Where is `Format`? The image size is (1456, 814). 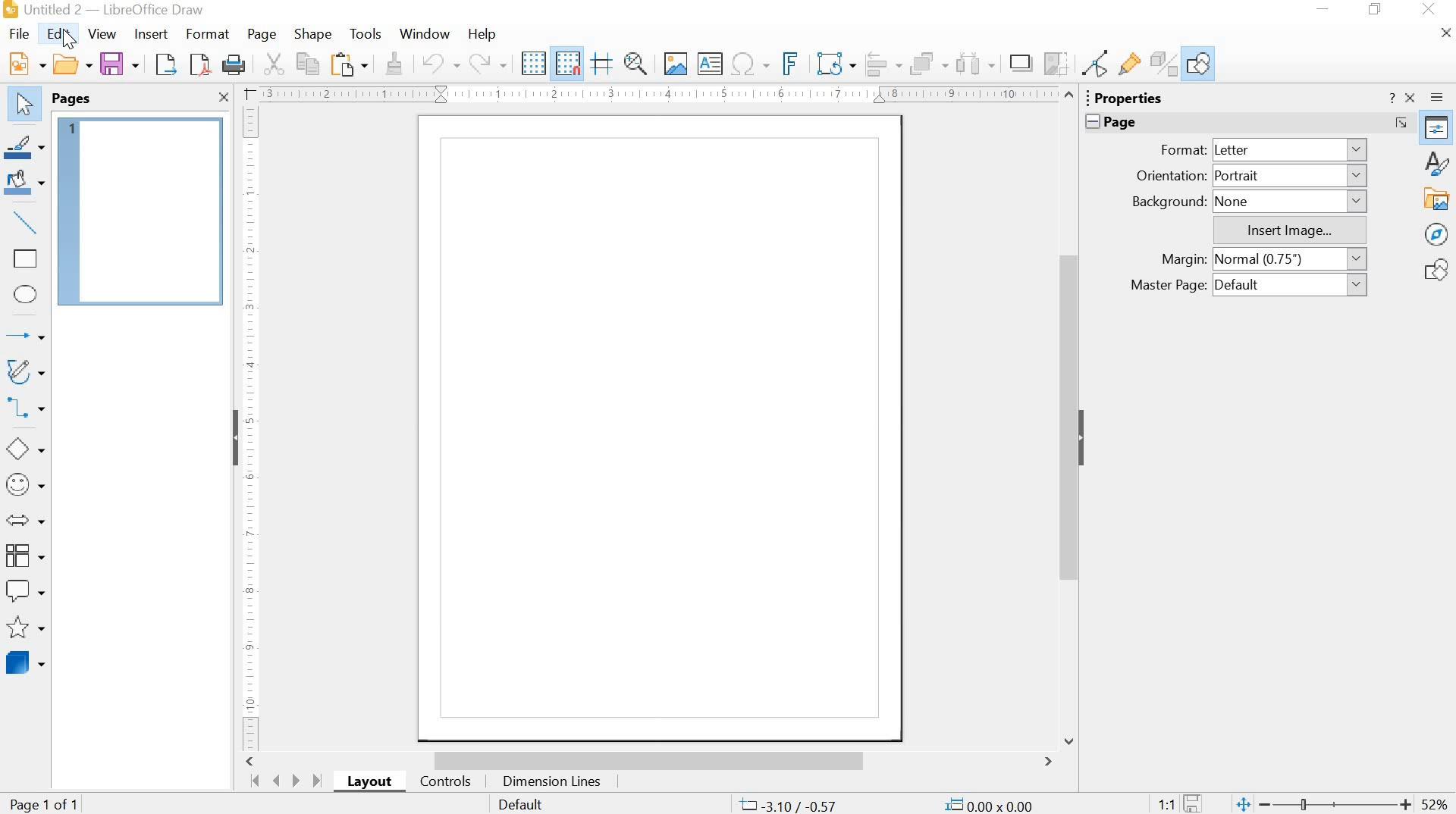
Format is located at coordinates (209, 34).